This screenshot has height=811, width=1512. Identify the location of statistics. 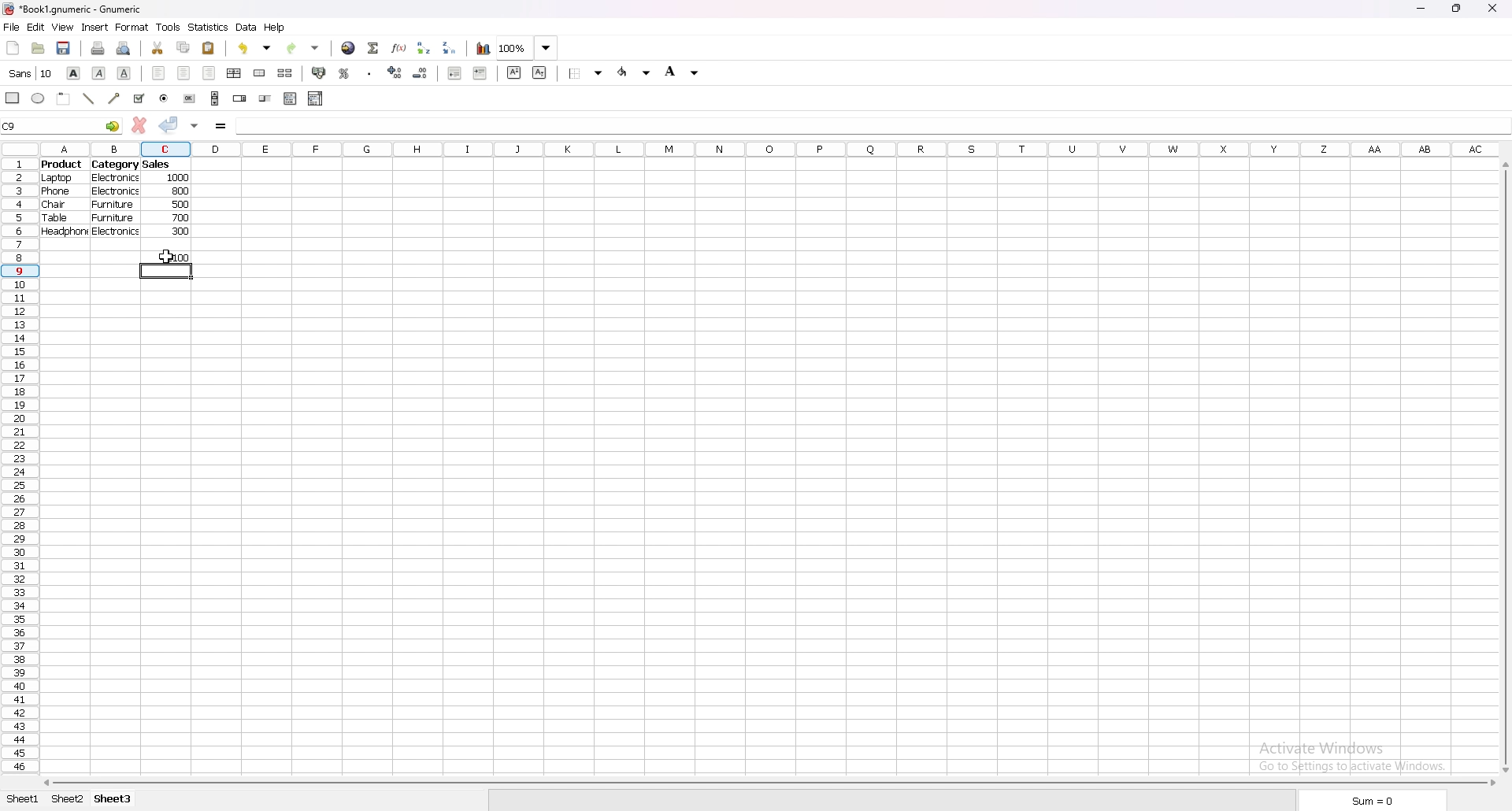
(209, 27).